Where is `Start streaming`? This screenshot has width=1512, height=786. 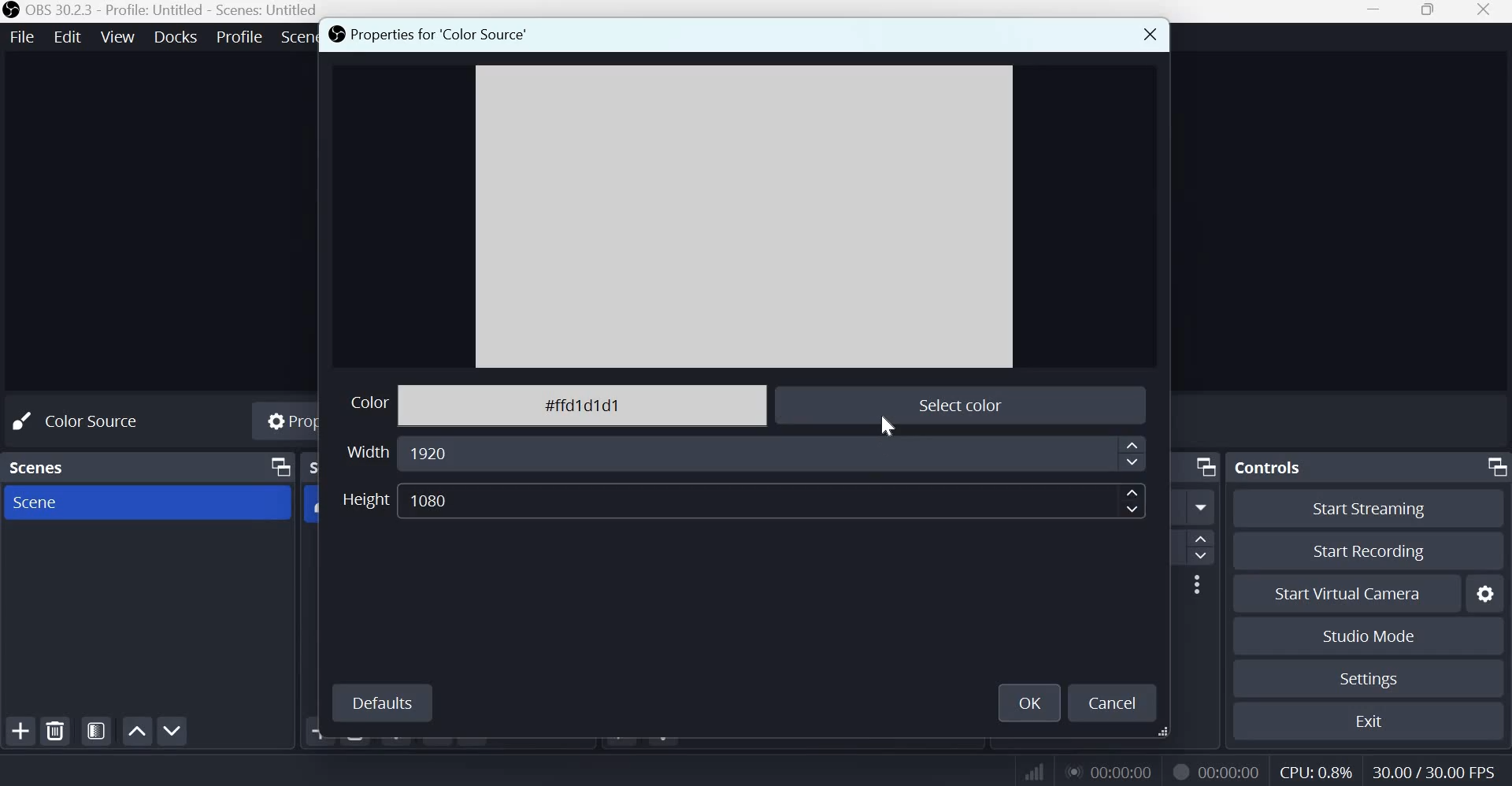 Start streaming is located at coordinates (1376, 508).